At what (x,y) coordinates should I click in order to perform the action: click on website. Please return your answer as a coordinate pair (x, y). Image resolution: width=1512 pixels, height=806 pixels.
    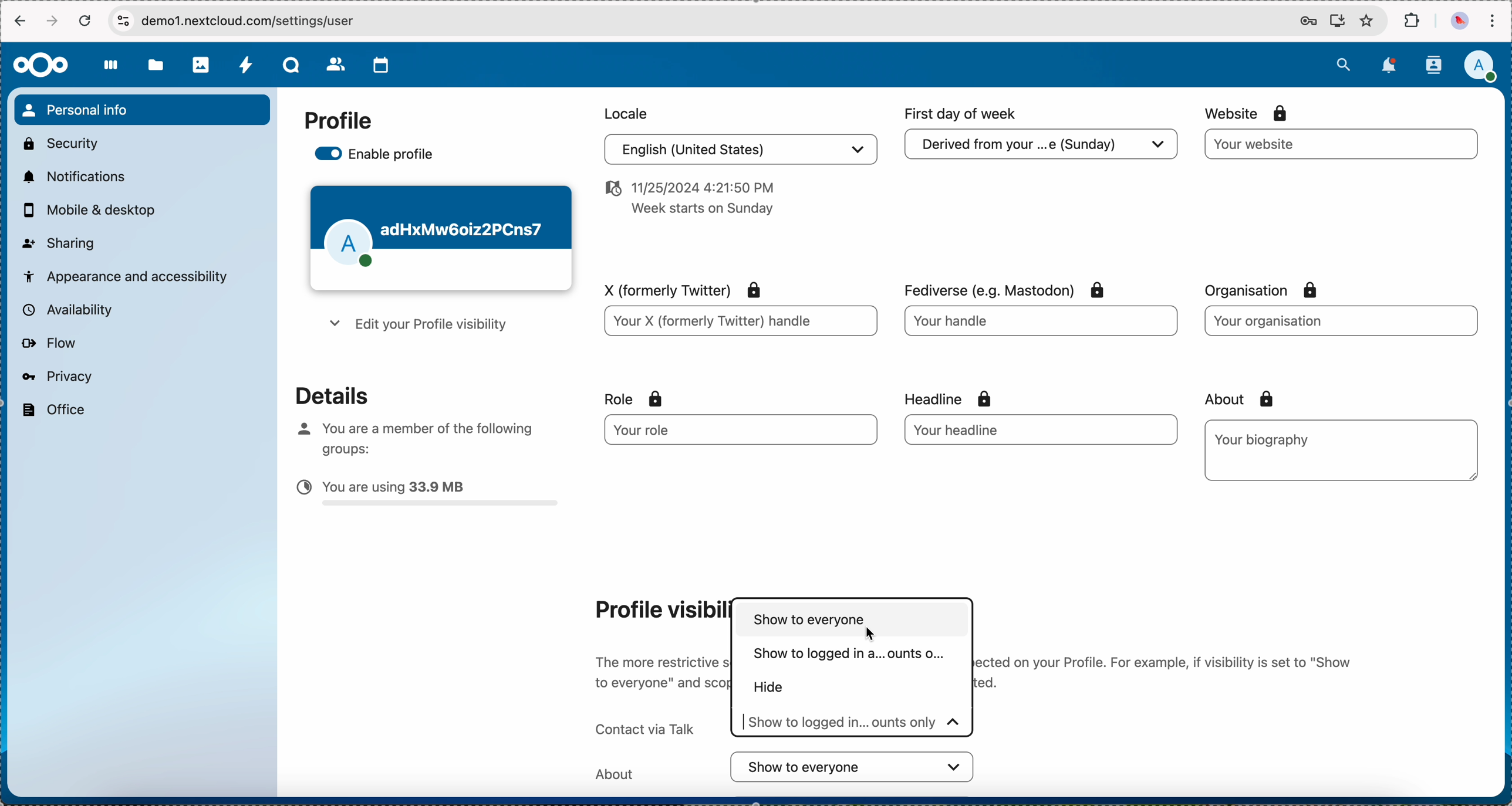
    Looking at the image, I should click on (1342, 144).